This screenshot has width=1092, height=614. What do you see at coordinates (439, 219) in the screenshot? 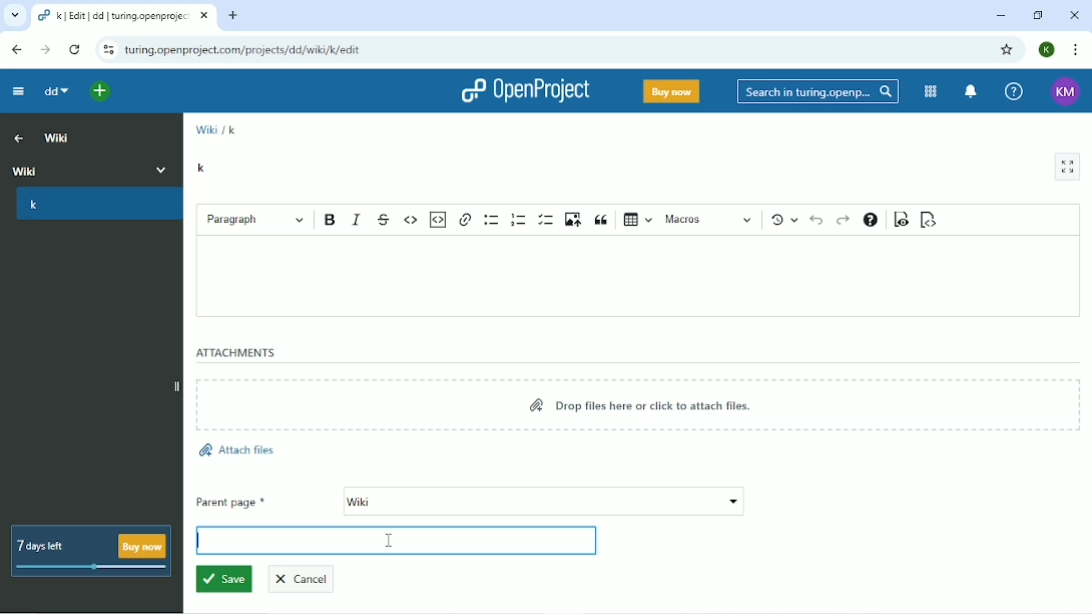
I see `Insert code snippet` at bounding box center [439, 219].